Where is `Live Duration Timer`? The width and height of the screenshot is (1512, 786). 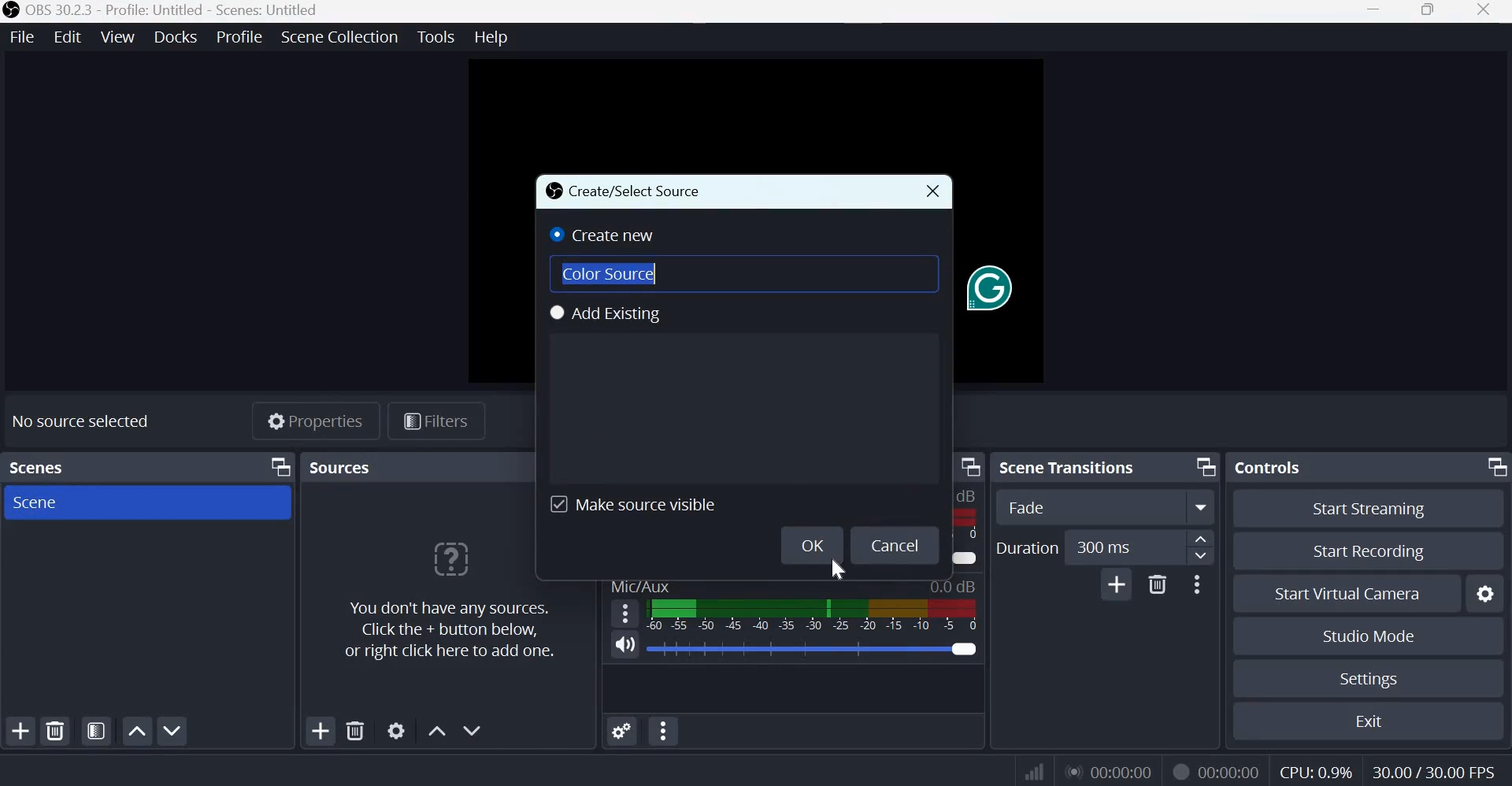
Live Duration Timer is located at coordinates (1111, 771).